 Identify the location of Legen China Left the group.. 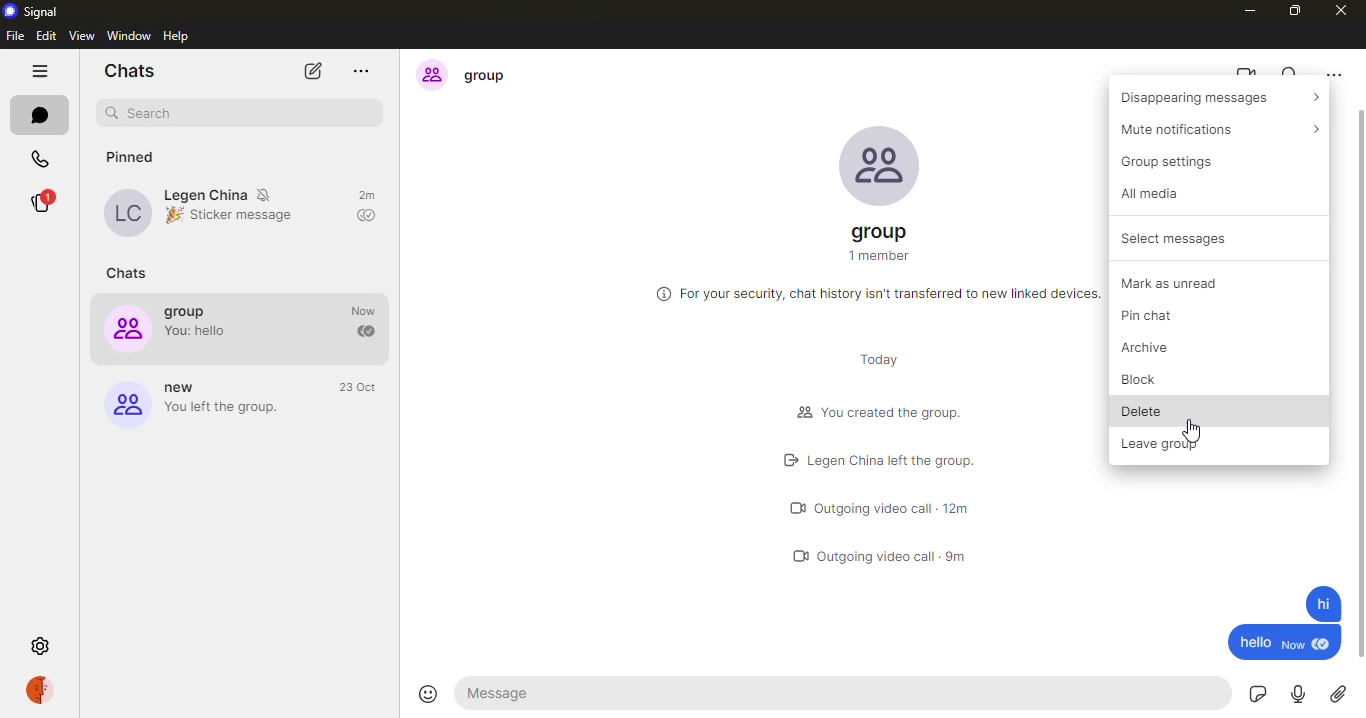
(922, 460).